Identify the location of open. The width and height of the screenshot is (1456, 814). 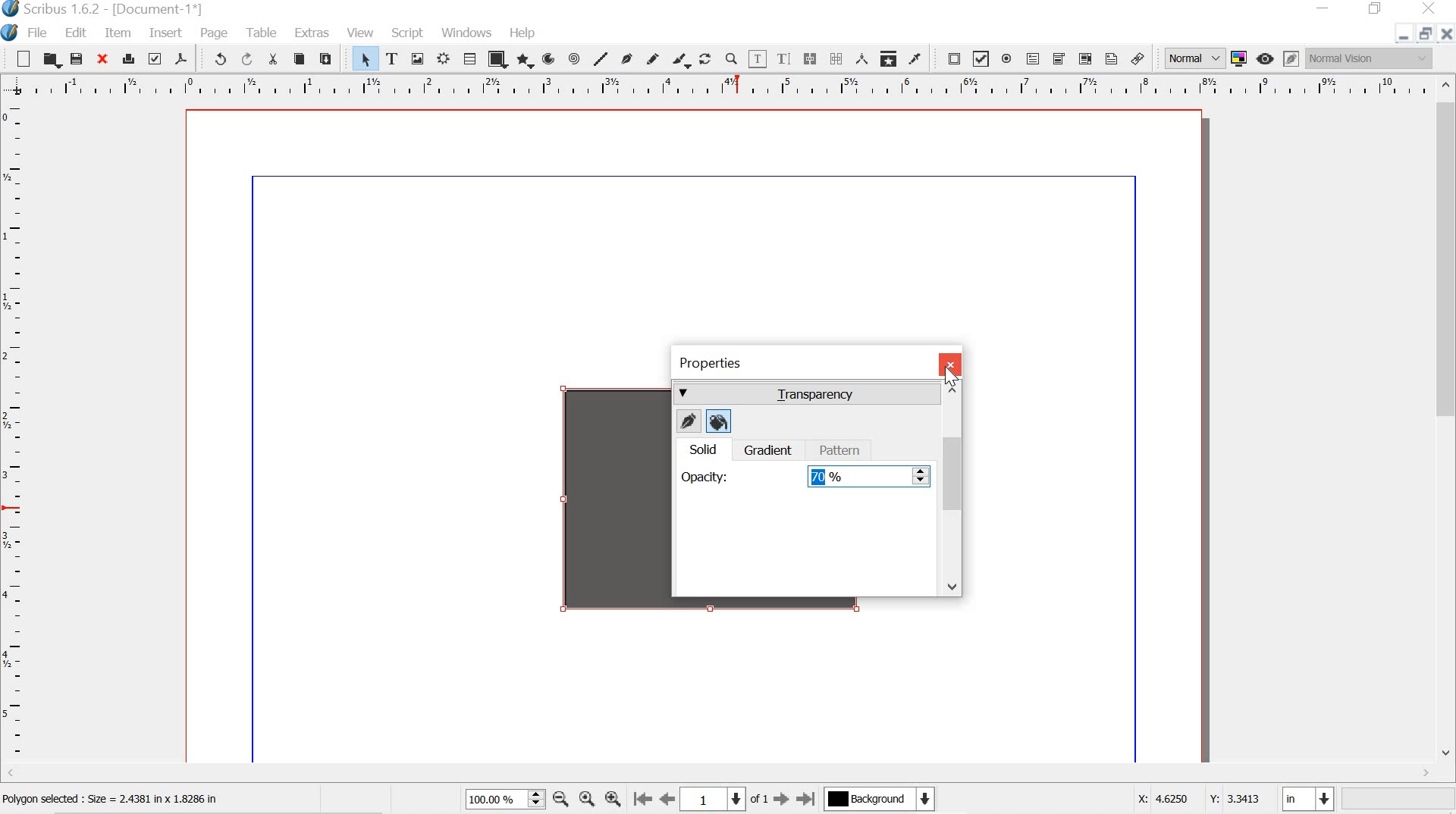
(50, 58).